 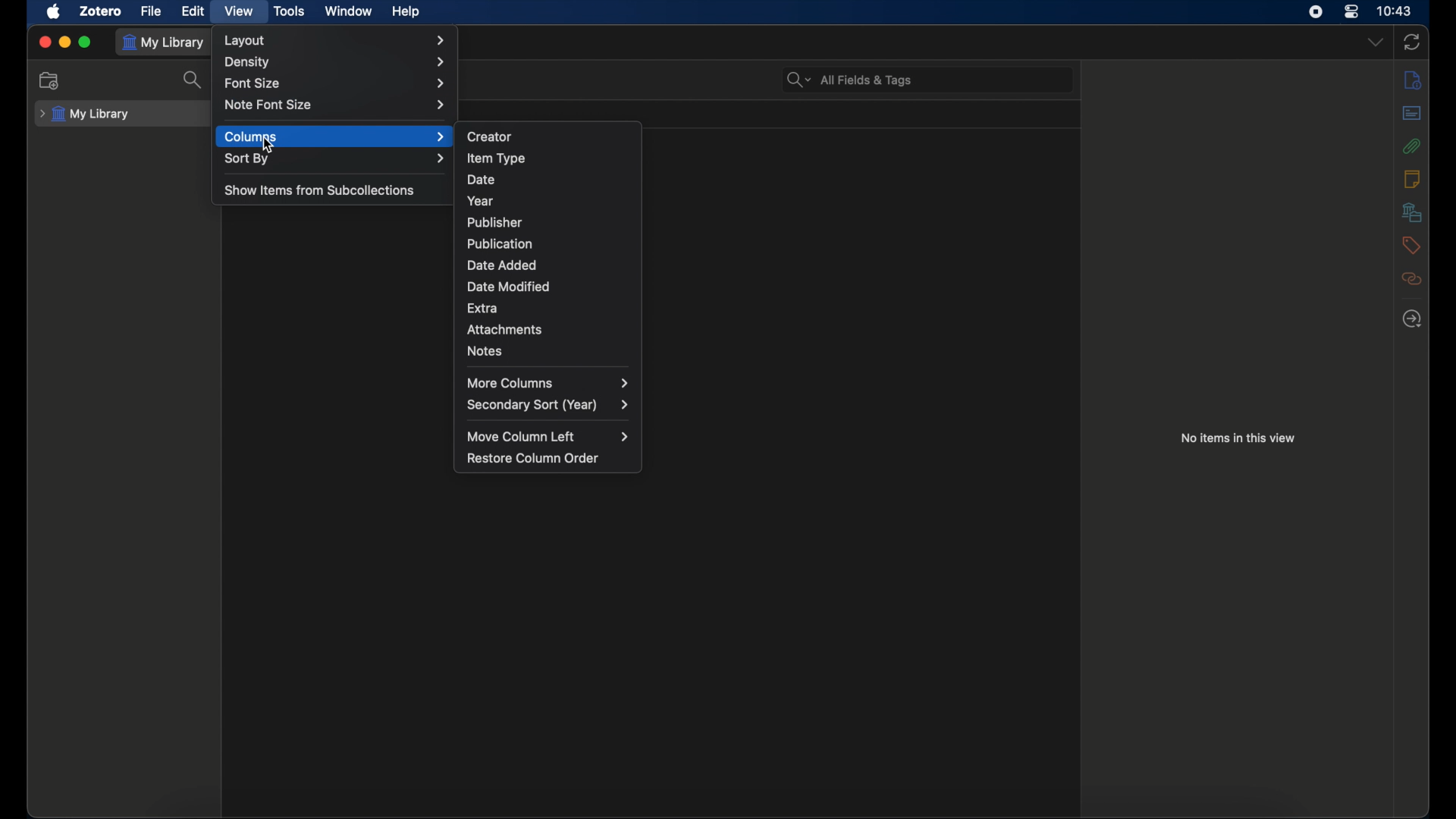 I want to click on my library, so click(x=164, y=42).